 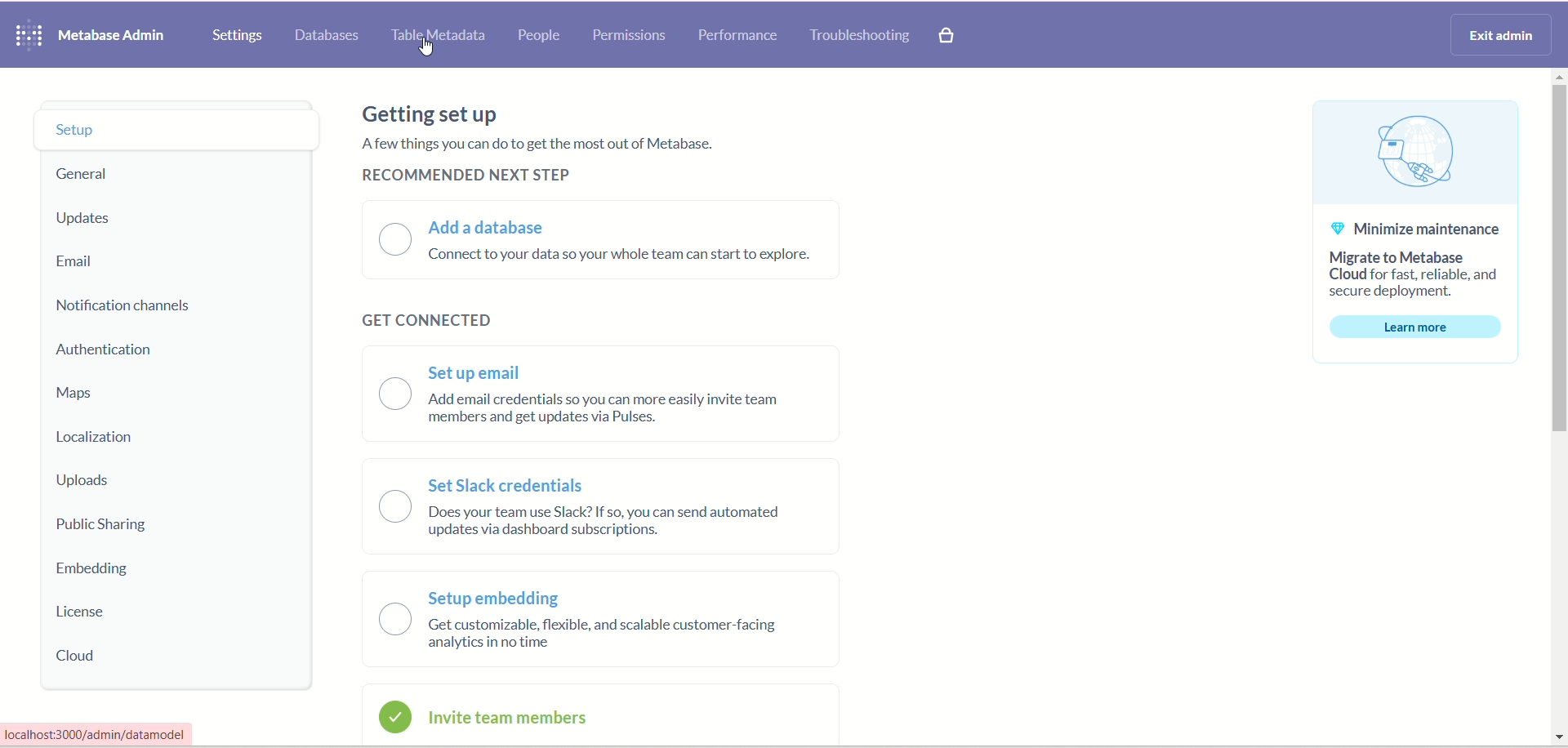 I want to click on authentication, so click(x=114, y=354).